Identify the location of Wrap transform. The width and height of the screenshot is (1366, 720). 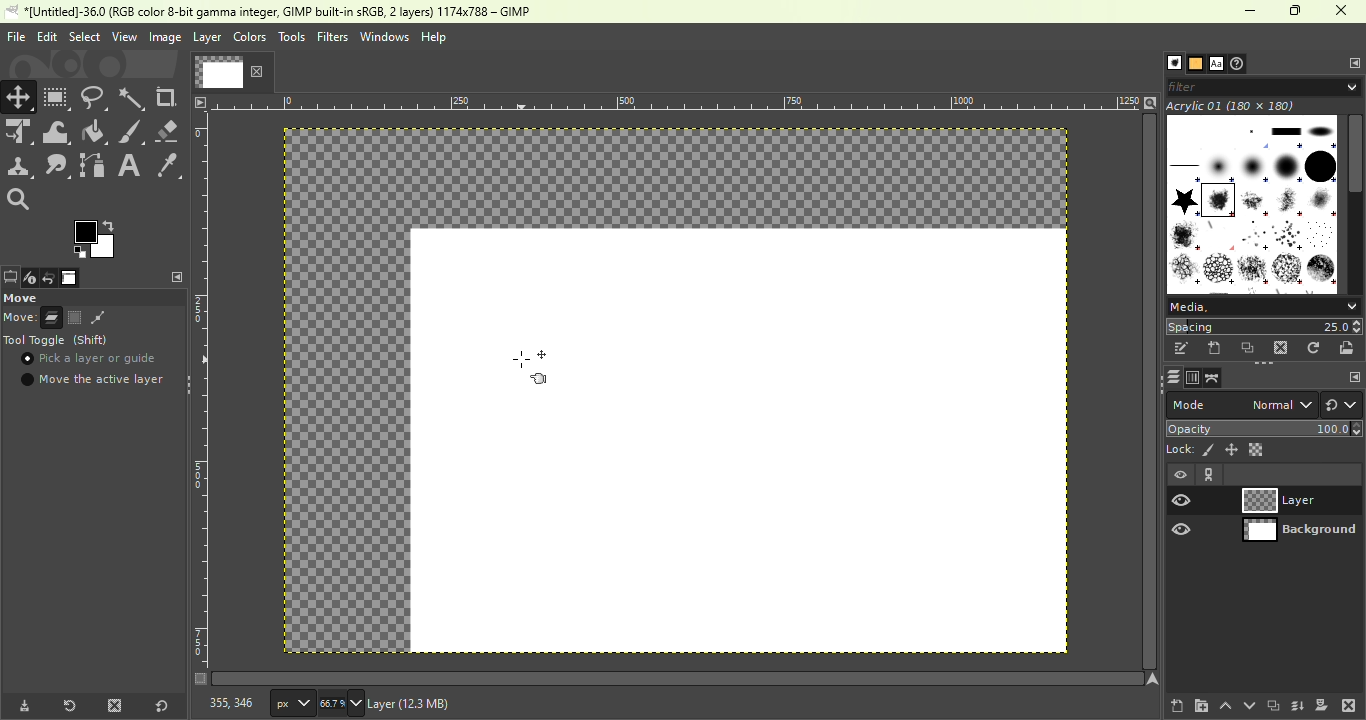
(56, 132).